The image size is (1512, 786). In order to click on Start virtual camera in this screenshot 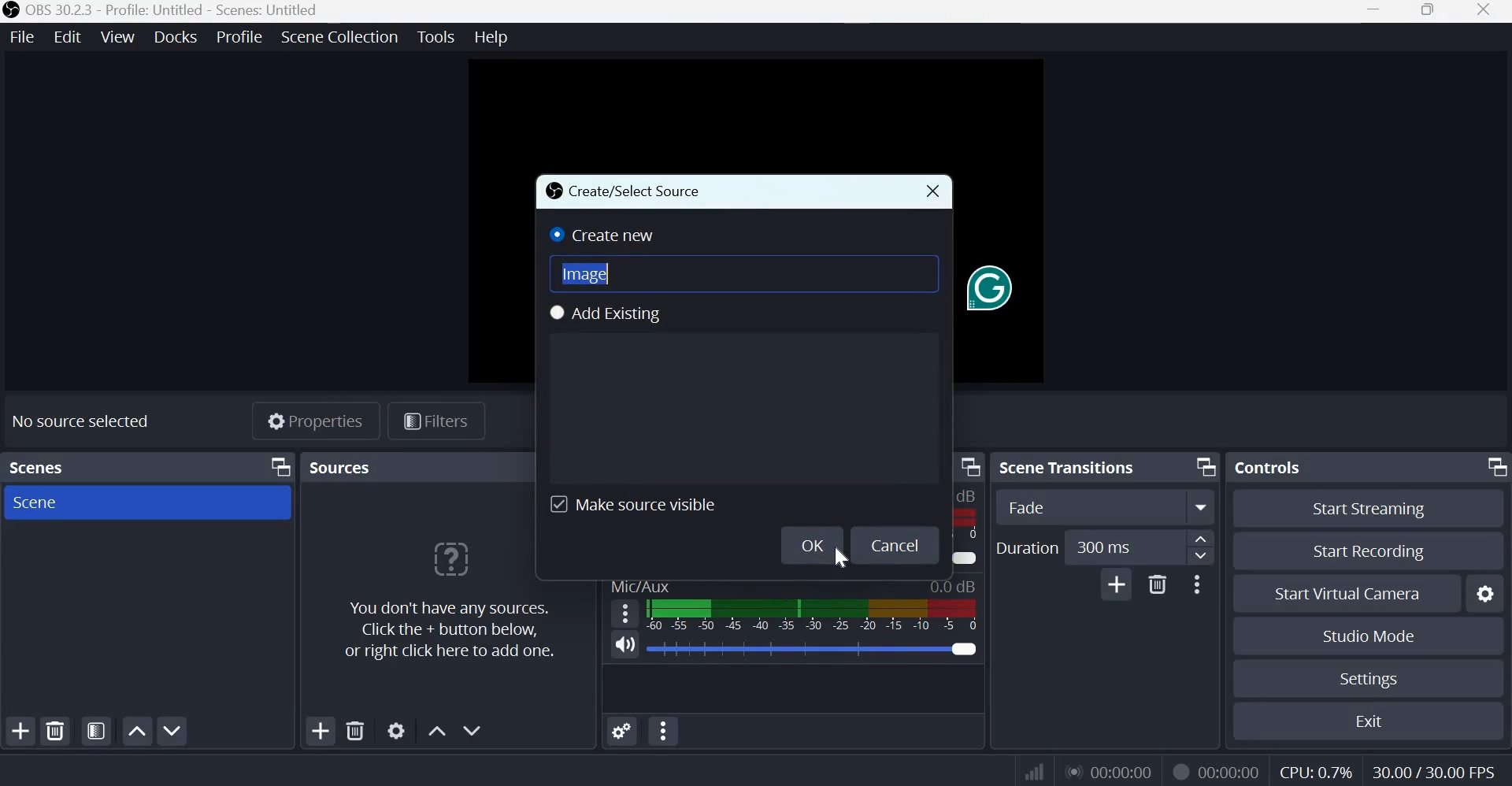, I will do `click(1359, 591)`.